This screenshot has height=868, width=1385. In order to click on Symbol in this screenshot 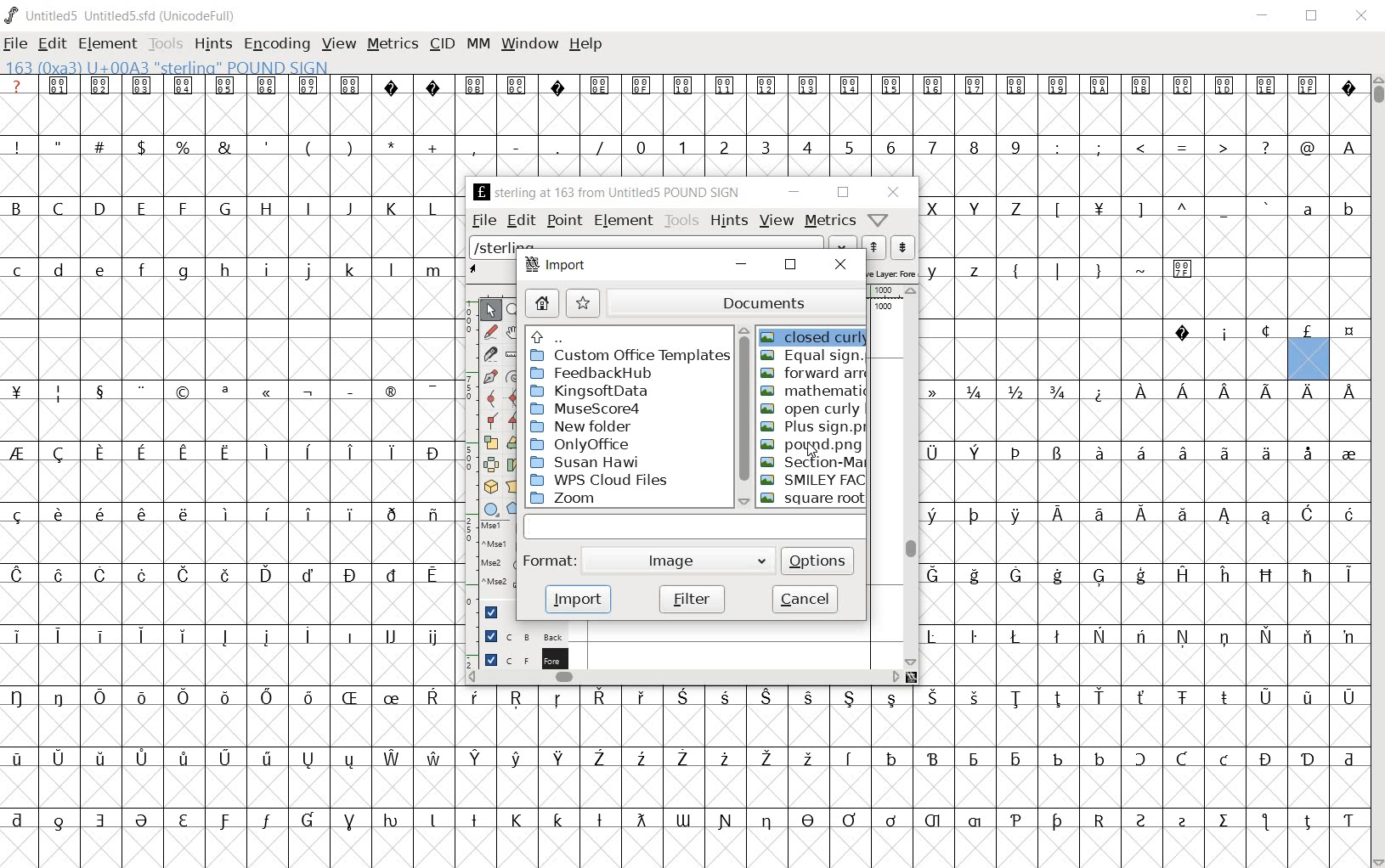, I will do `click(184, 637)`.